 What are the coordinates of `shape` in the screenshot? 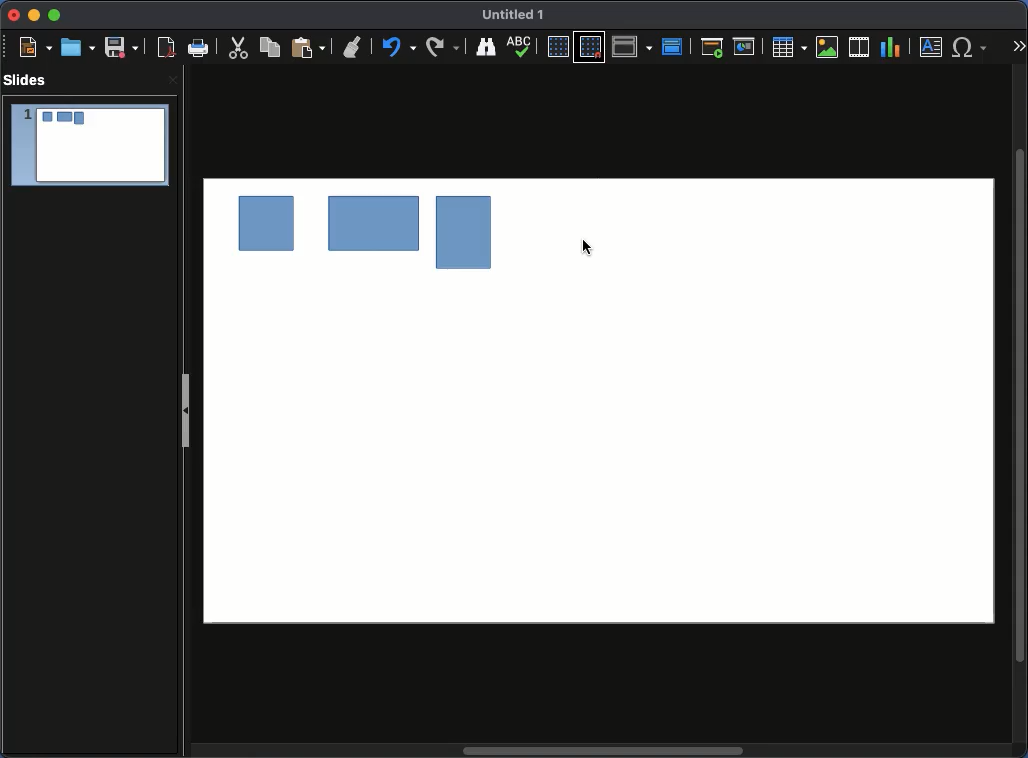 It's located at (467, 232).